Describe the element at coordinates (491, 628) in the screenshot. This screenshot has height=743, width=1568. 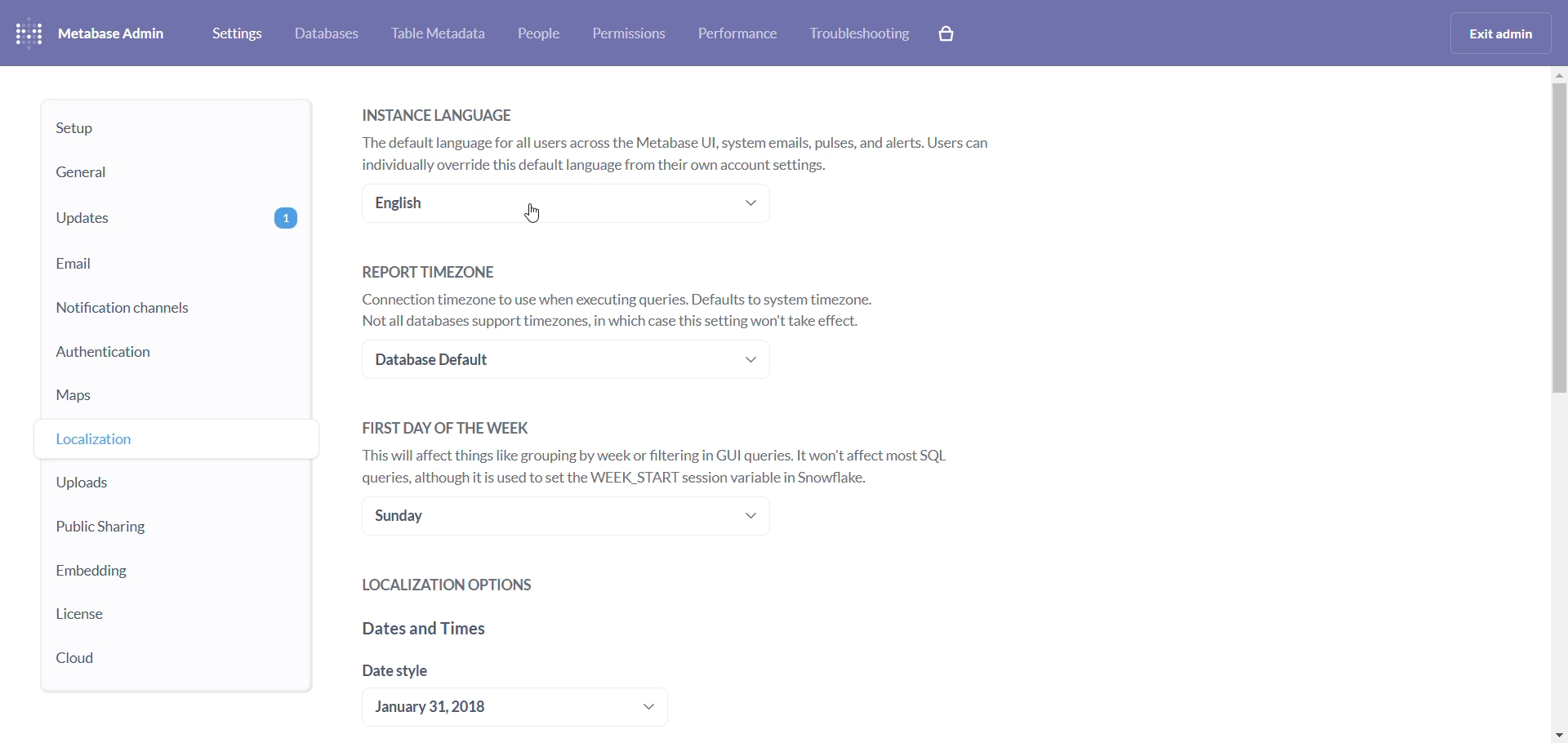
I see `dates and time headings` at that location.